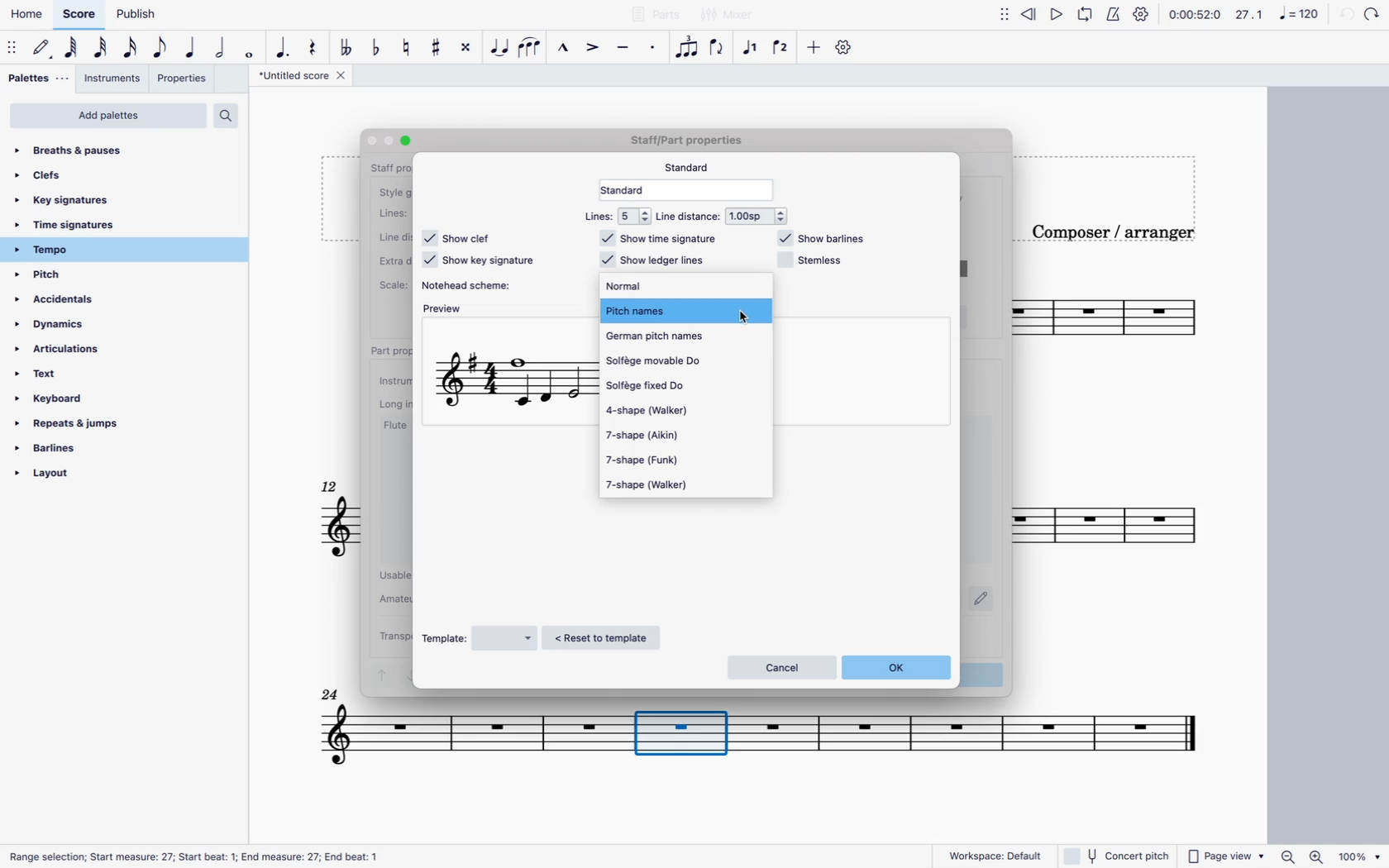 This screenshot has height=868, width=1389. Describe the element at coordinates (1055, 14) in the screenshot. I see `play` at that location.